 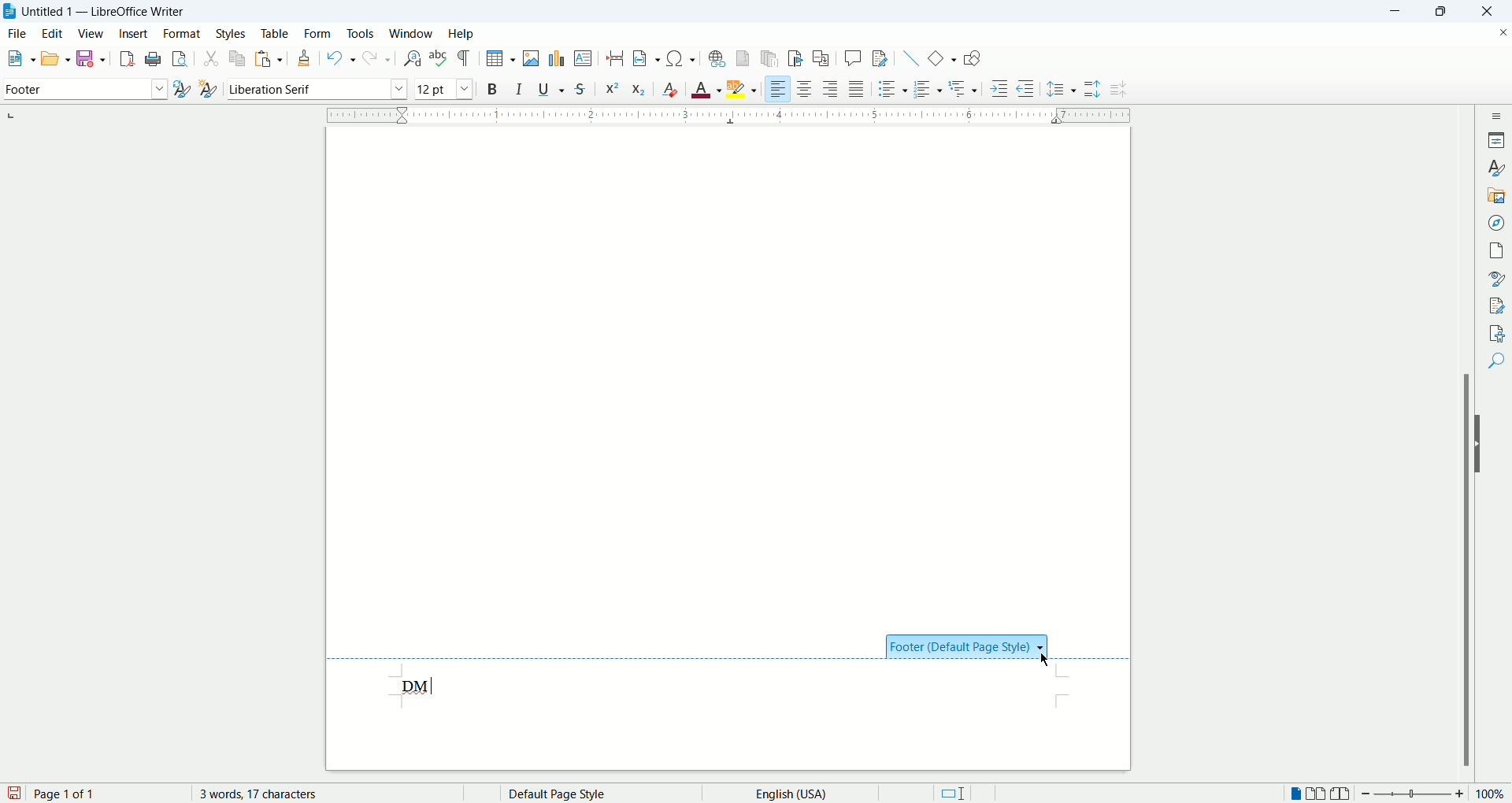 I want to click on page number, so click(x=106, y=794).